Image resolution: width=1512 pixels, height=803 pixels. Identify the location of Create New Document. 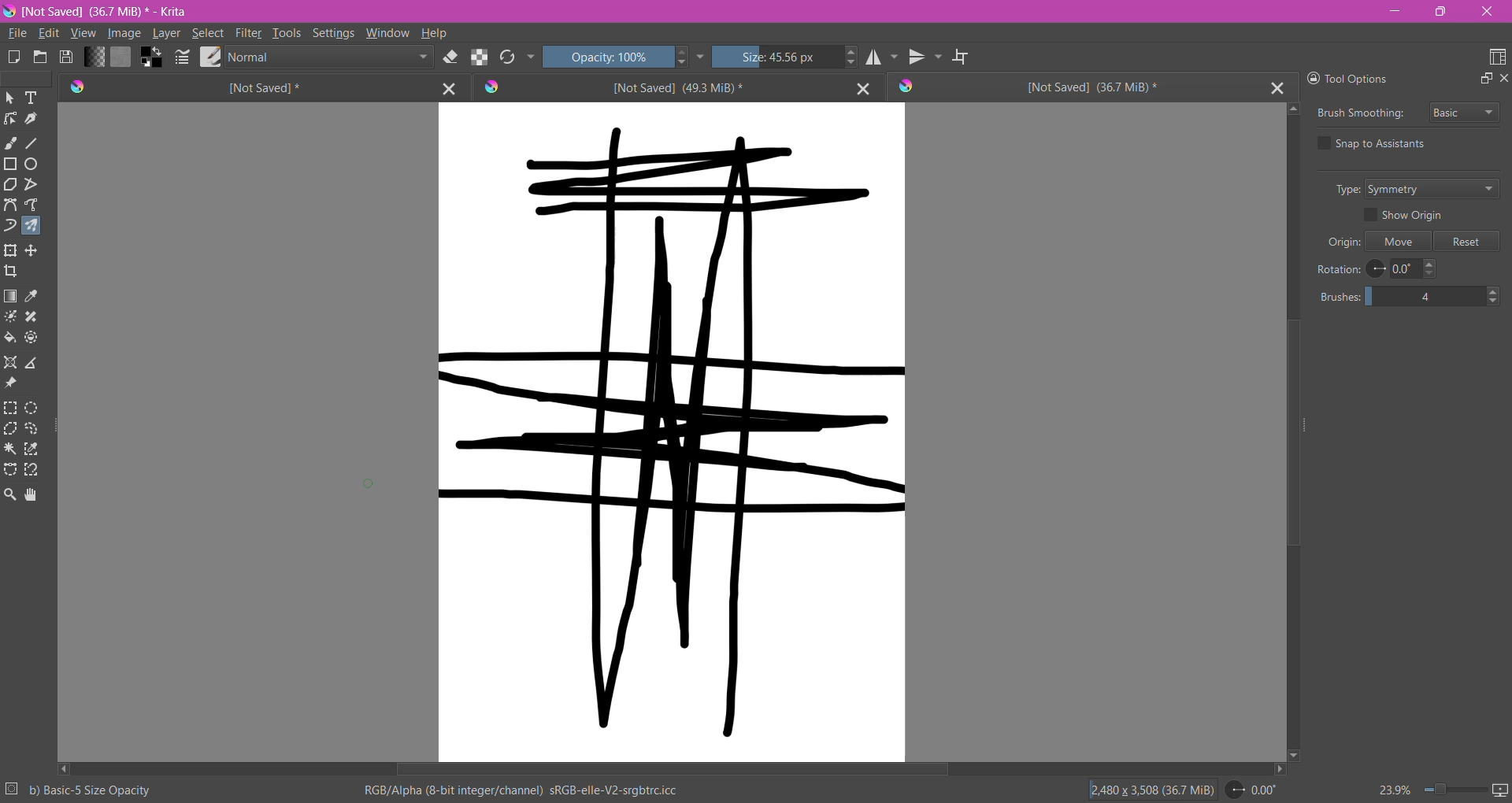
(13, 59).